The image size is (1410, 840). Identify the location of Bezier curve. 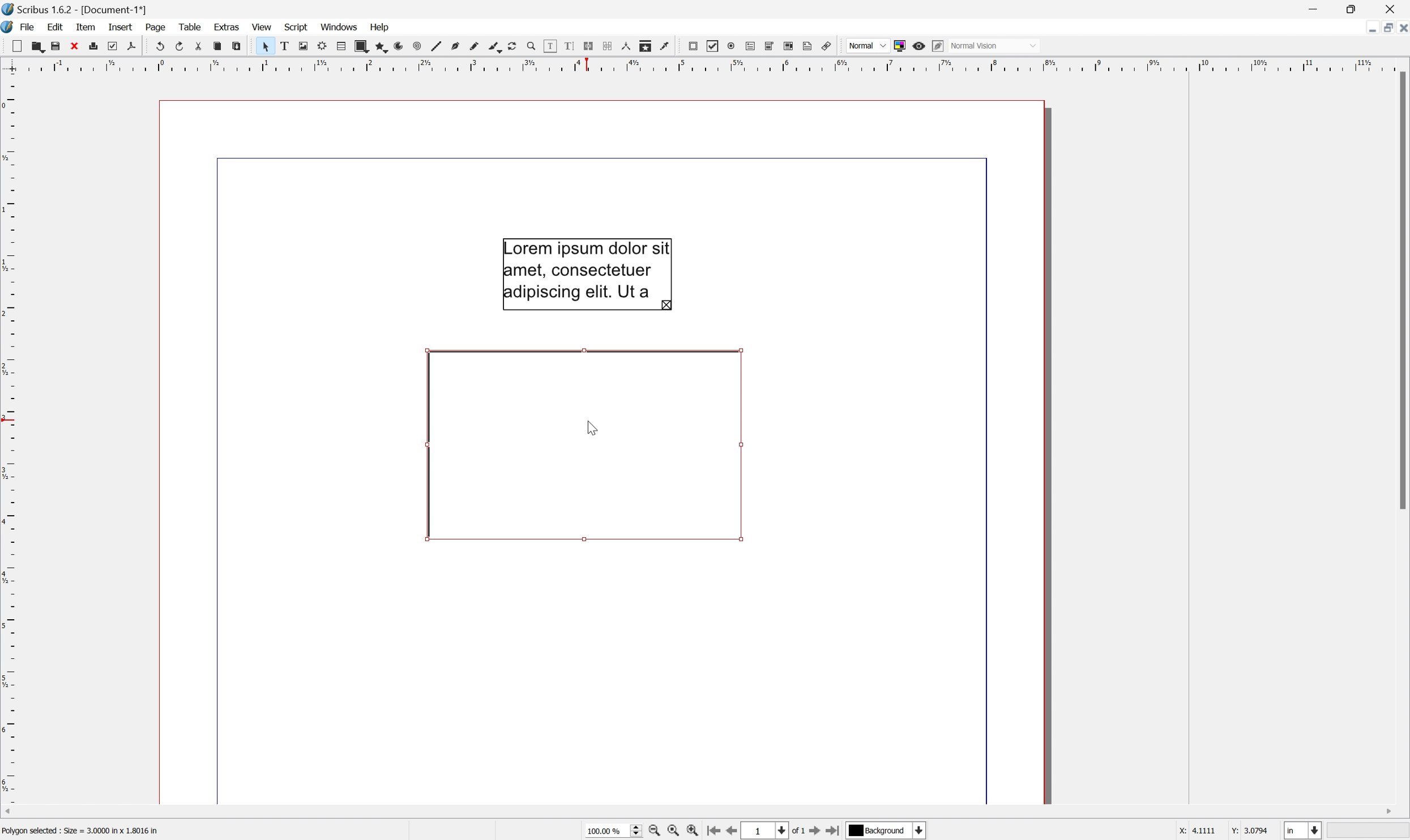
(452, 48).